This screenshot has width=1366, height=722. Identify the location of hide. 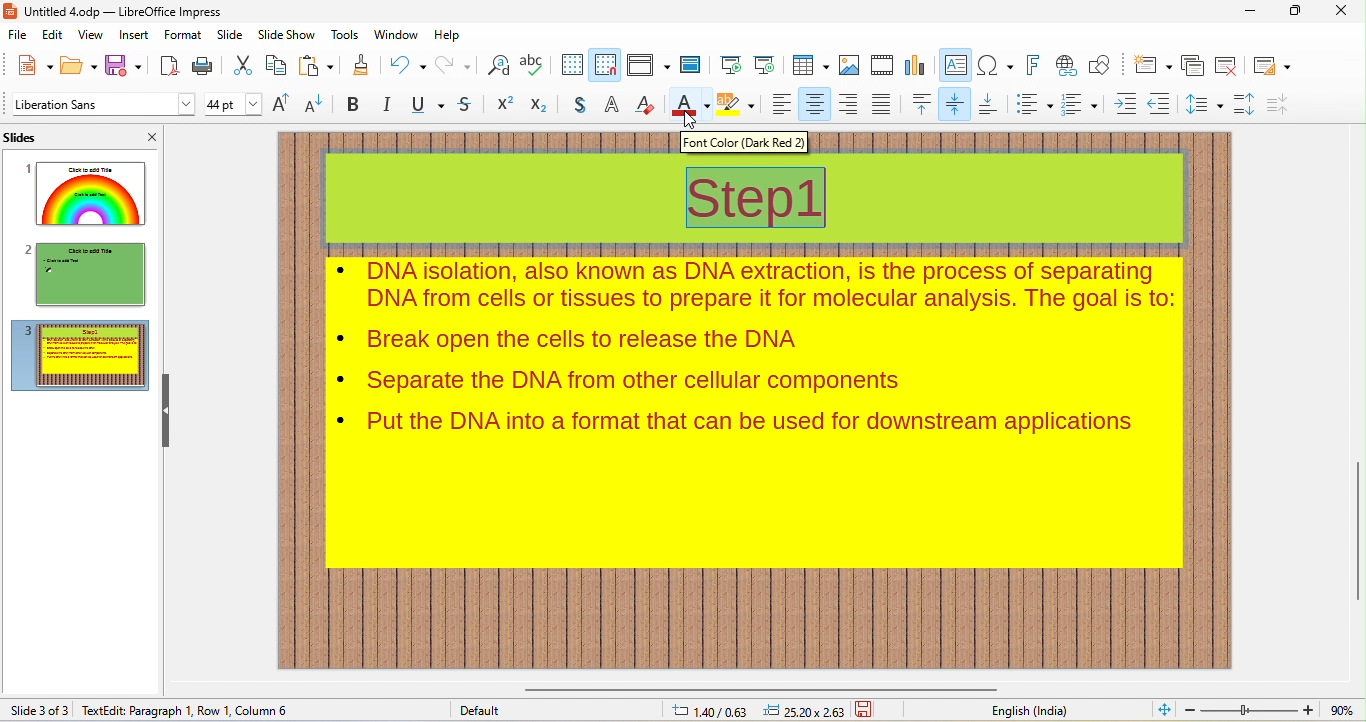
(171, 415).